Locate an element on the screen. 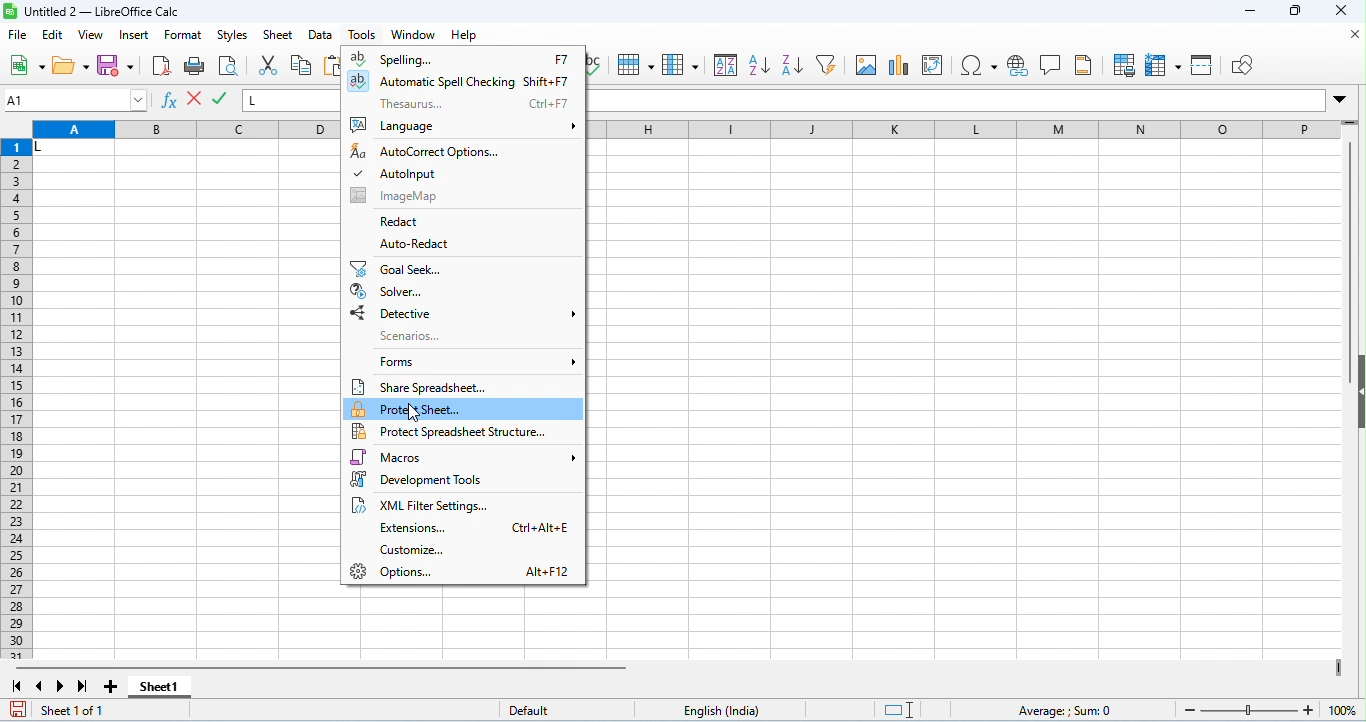  vertical scroll bar is located at coordinates (1351, 264).